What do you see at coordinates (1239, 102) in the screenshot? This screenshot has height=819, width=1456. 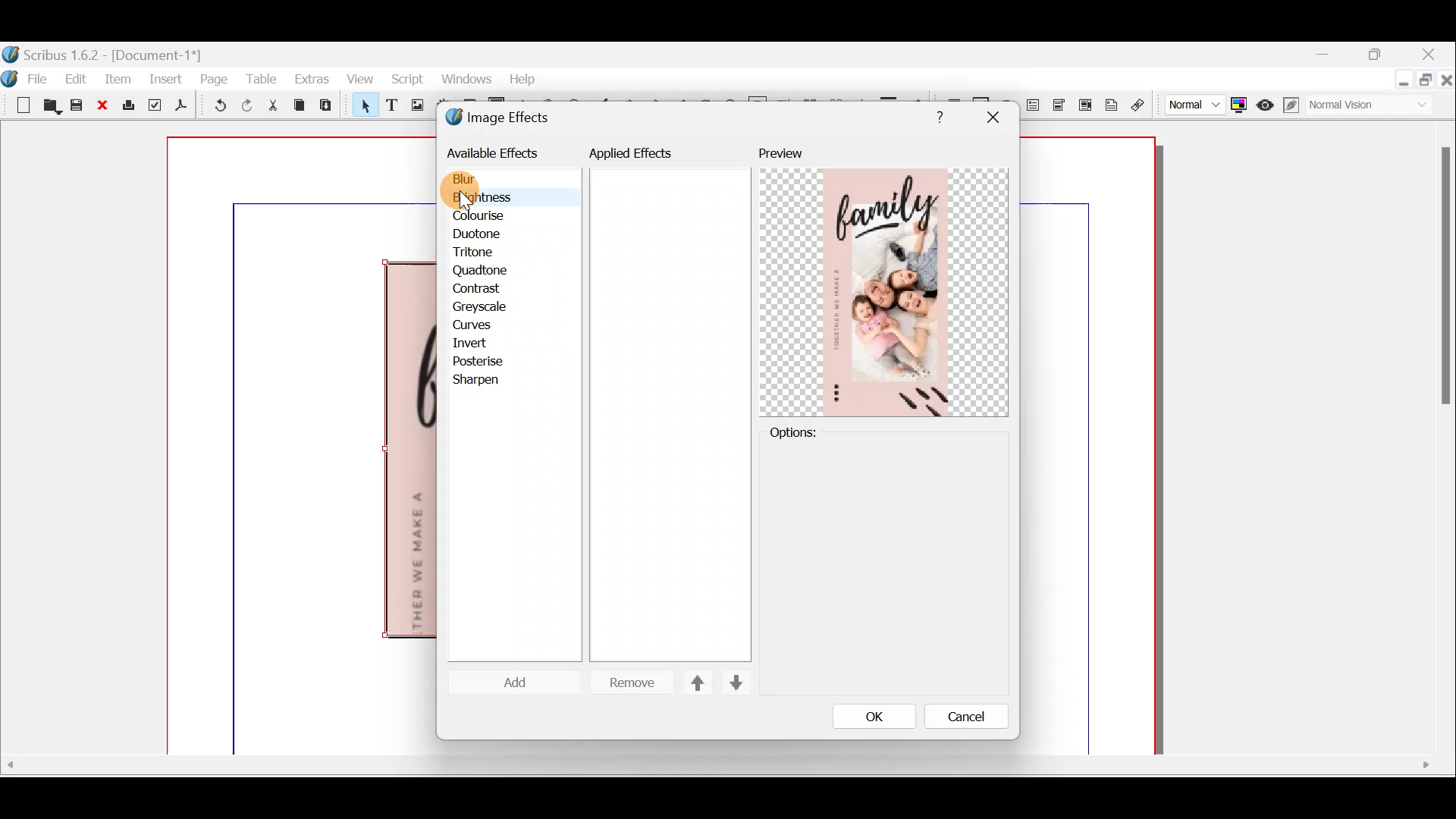 I see `Toggle colour management system` at bounding box center [1239, 102].